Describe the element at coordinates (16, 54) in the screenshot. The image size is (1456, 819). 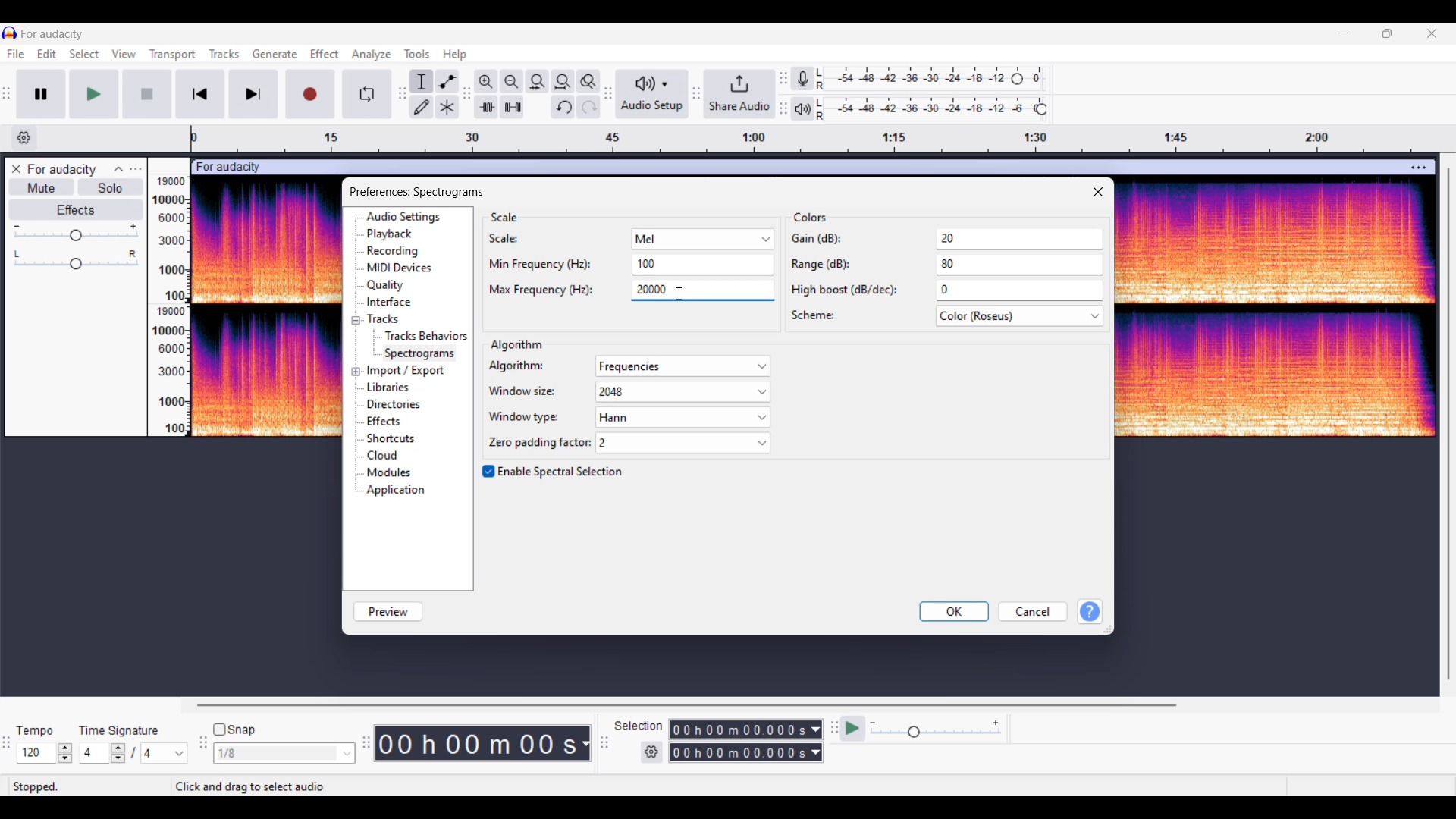
I see `File menu` at that location.